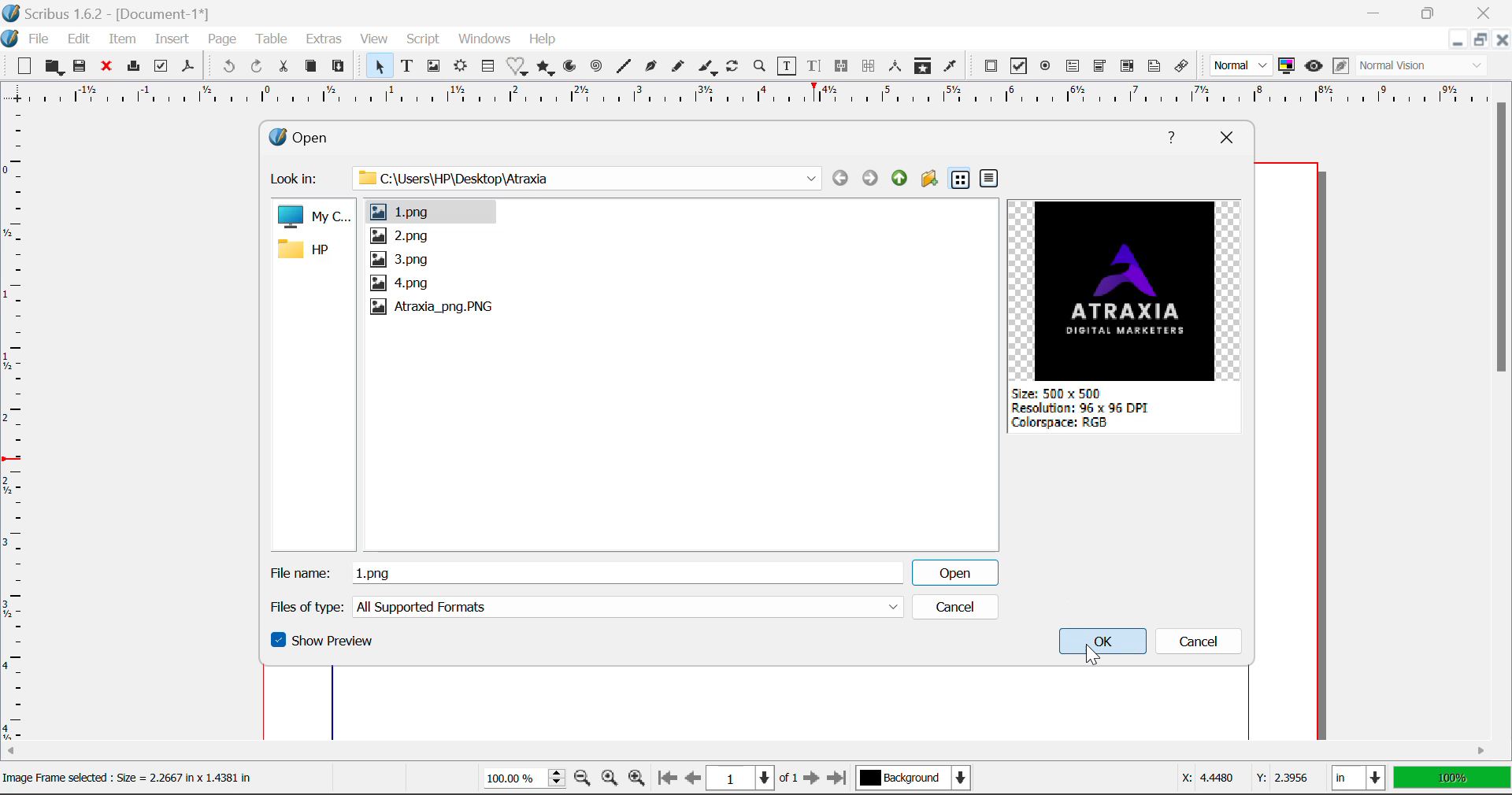  I want to click on Cut, so click(287, 65).